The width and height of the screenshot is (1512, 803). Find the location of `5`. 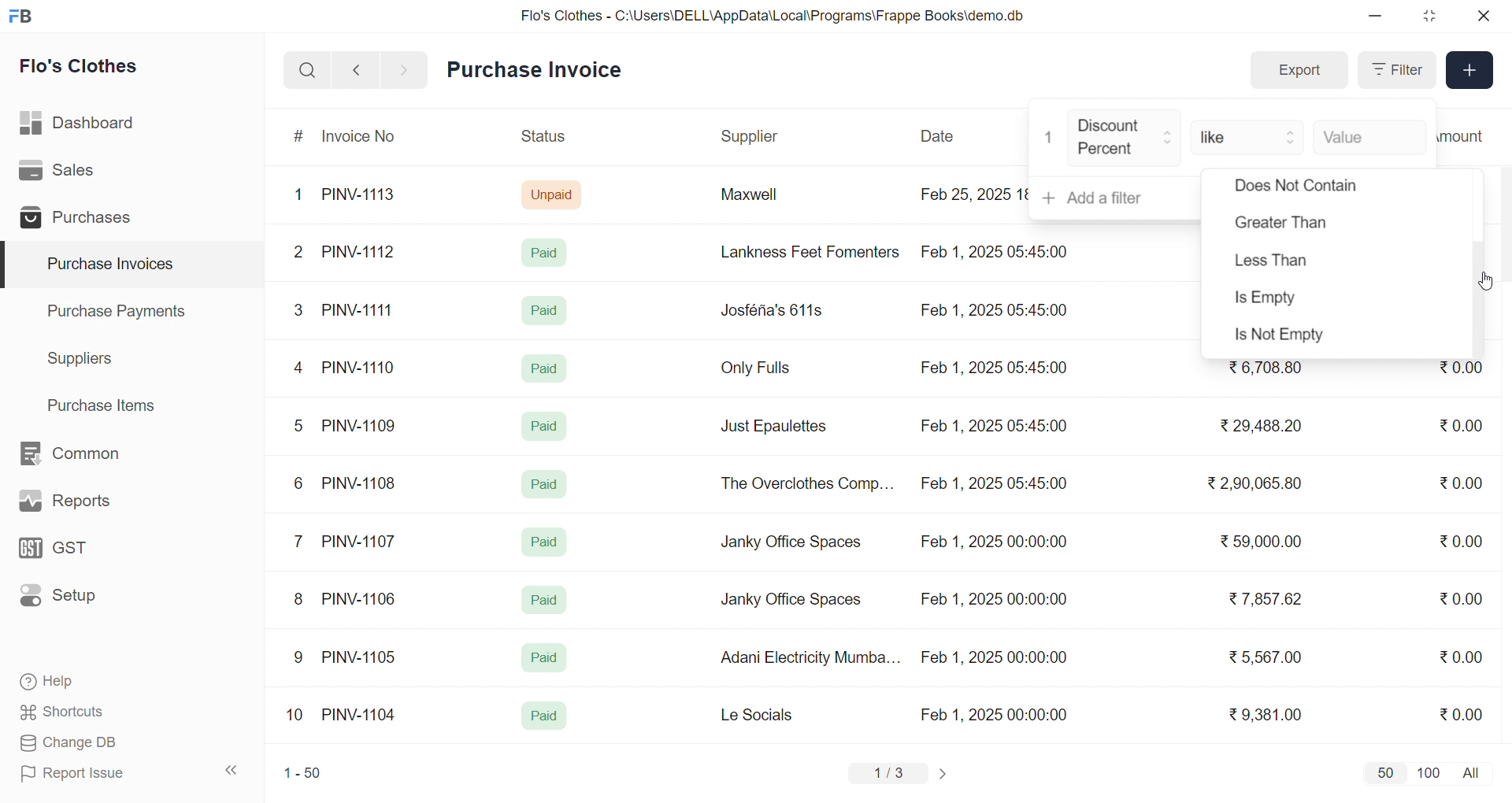

5 is located at coordinates (298, 425).